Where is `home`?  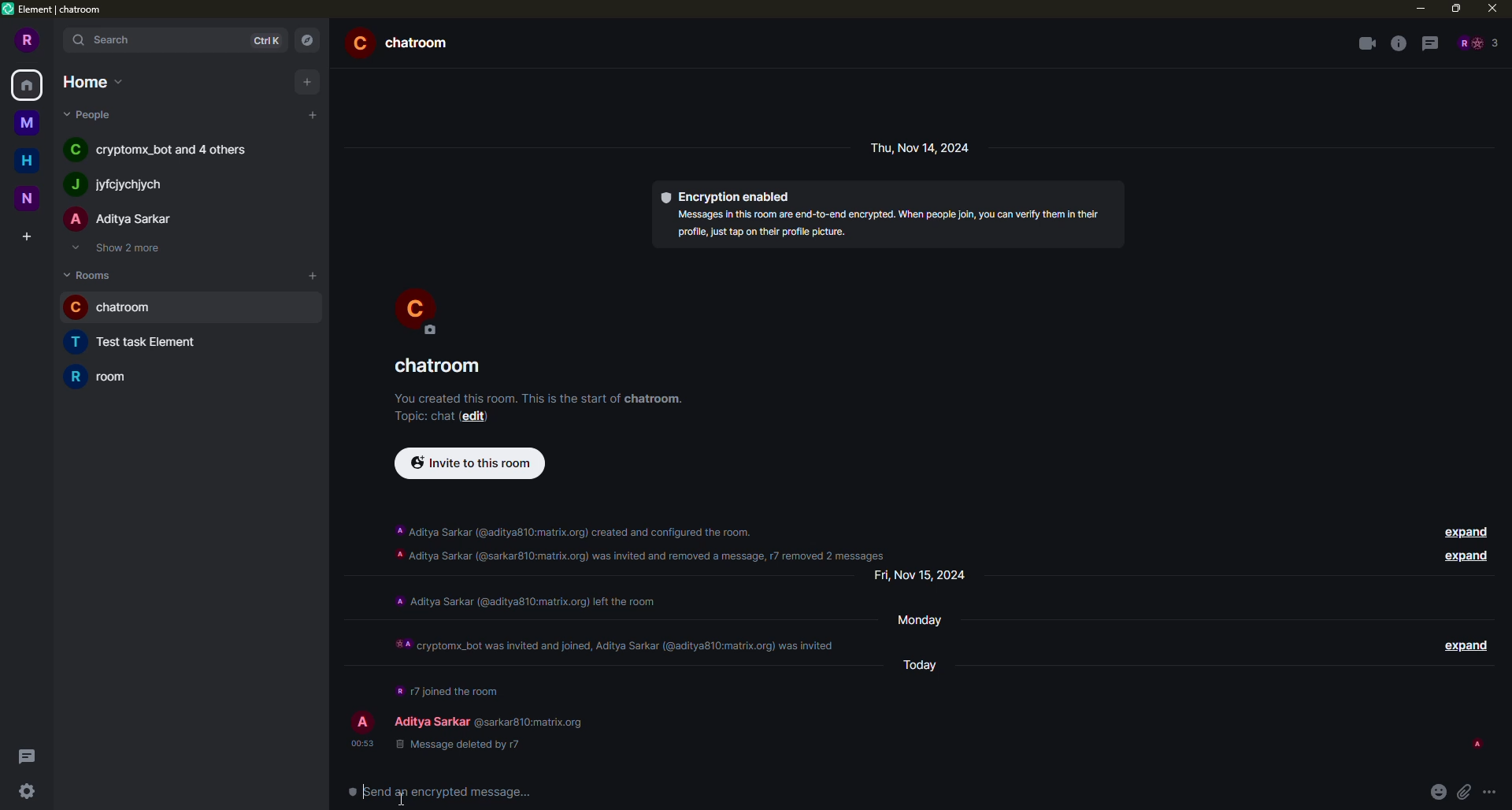
home is located at coordinates (27, 160).